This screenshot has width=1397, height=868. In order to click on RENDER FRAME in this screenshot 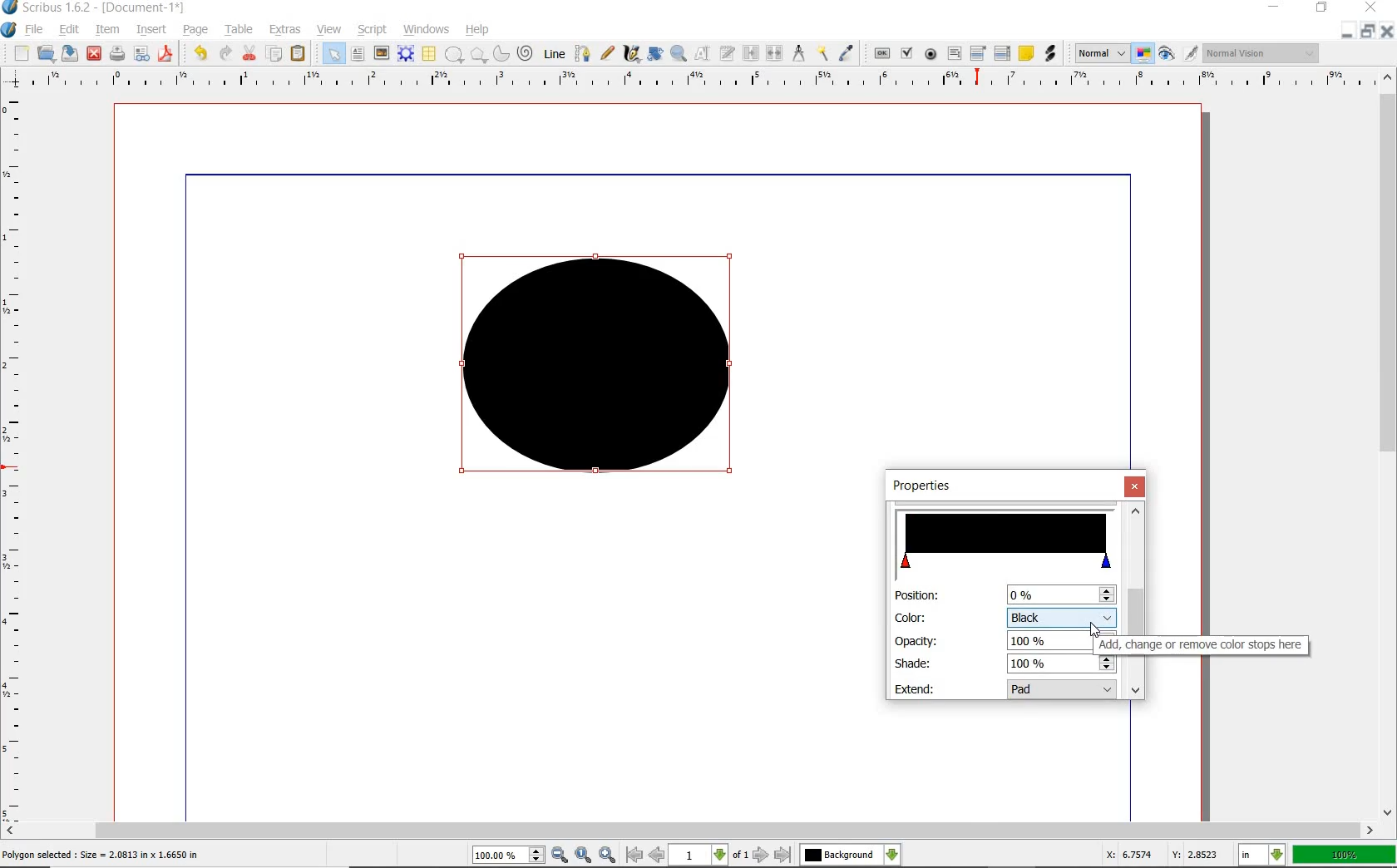, I will do `click(404, 53)`.